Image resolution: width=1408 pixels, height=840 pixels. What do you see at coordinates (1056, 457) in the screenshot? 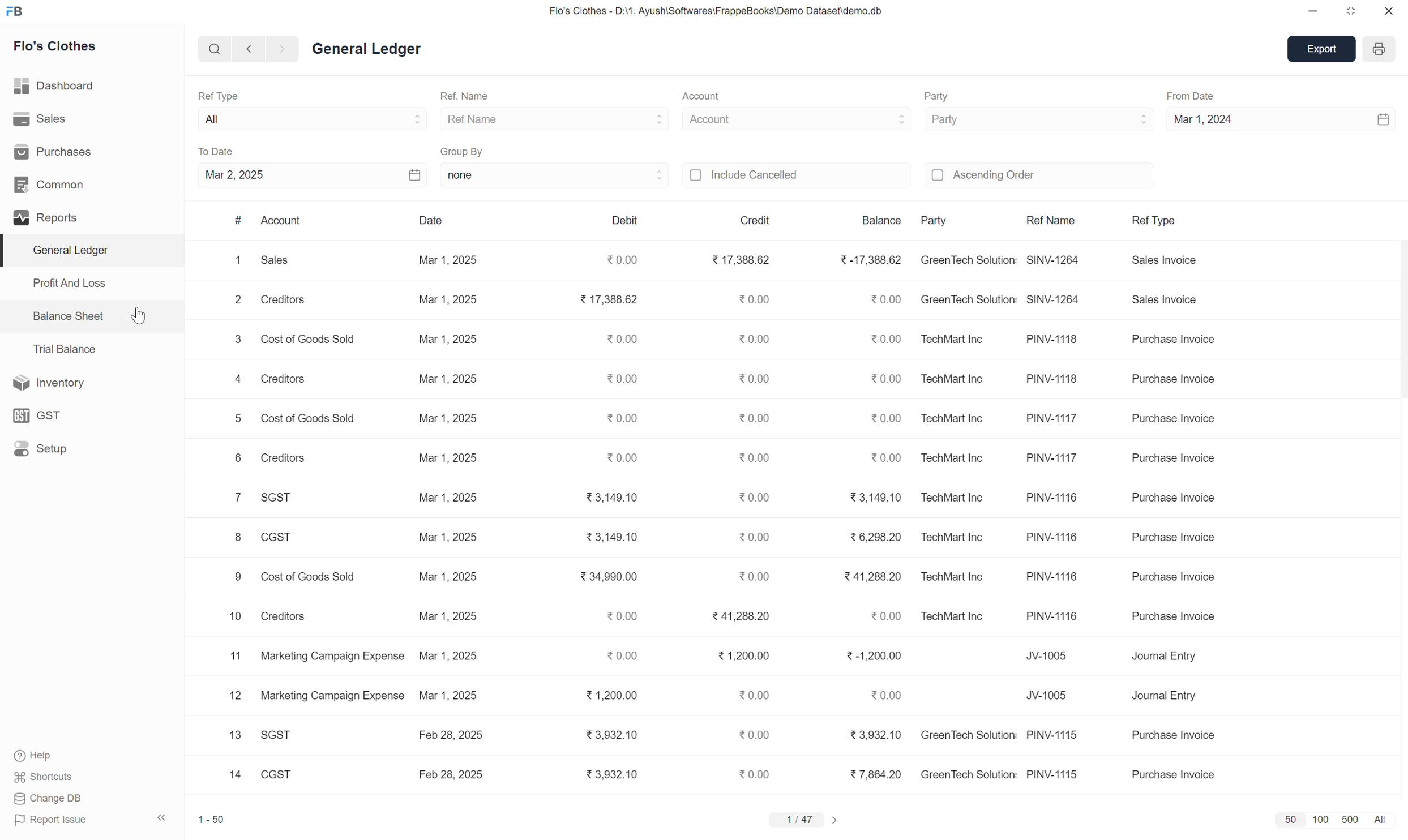
I see `PNW 1117` at bounding box center [1056, 457].